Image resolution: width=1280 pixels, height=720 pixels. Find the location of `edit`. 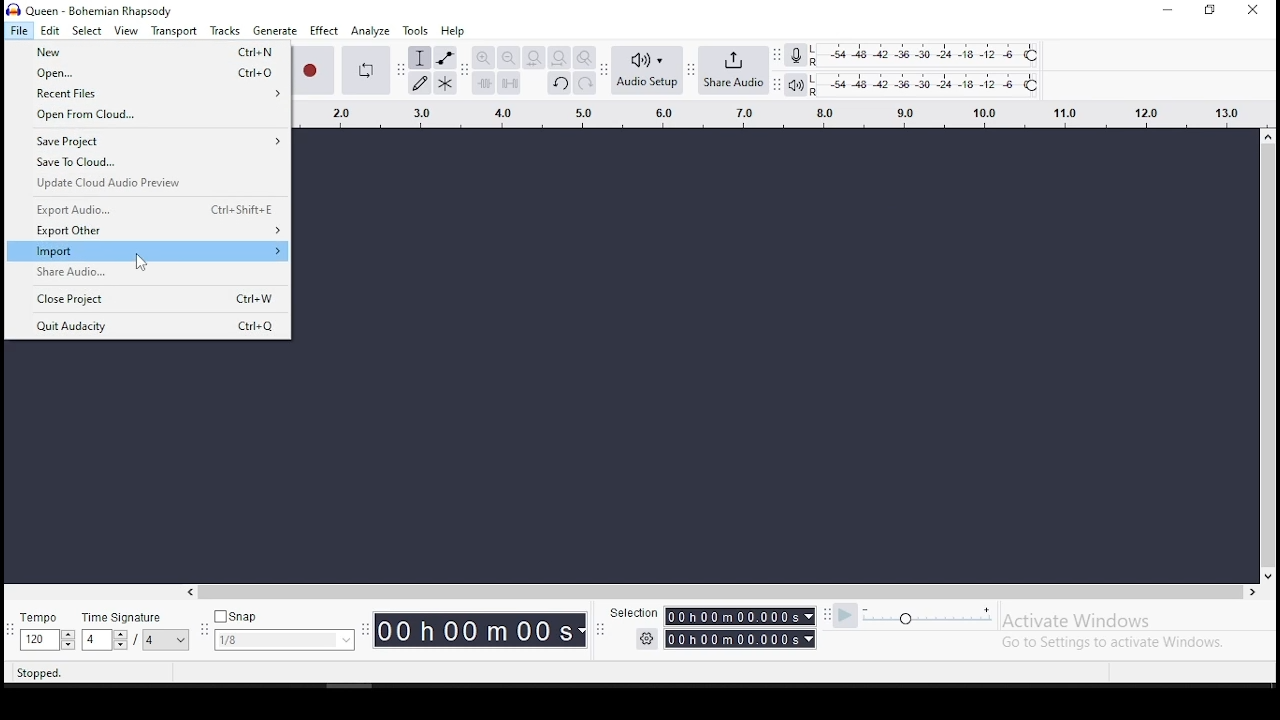

edit is located at coordinates (50, 31).